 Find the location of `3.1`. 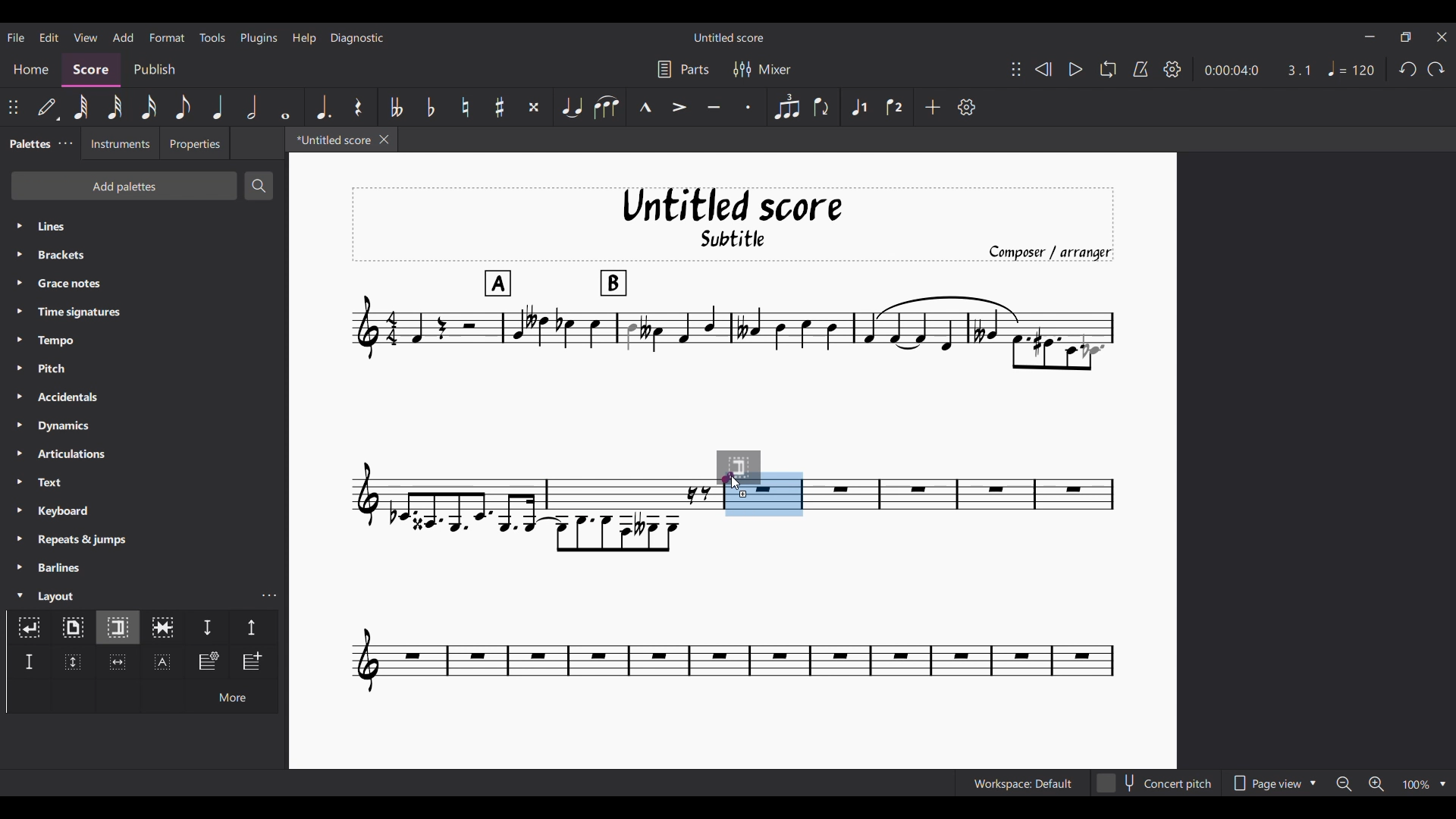

3.1 is located at coordinates (1298, 70).